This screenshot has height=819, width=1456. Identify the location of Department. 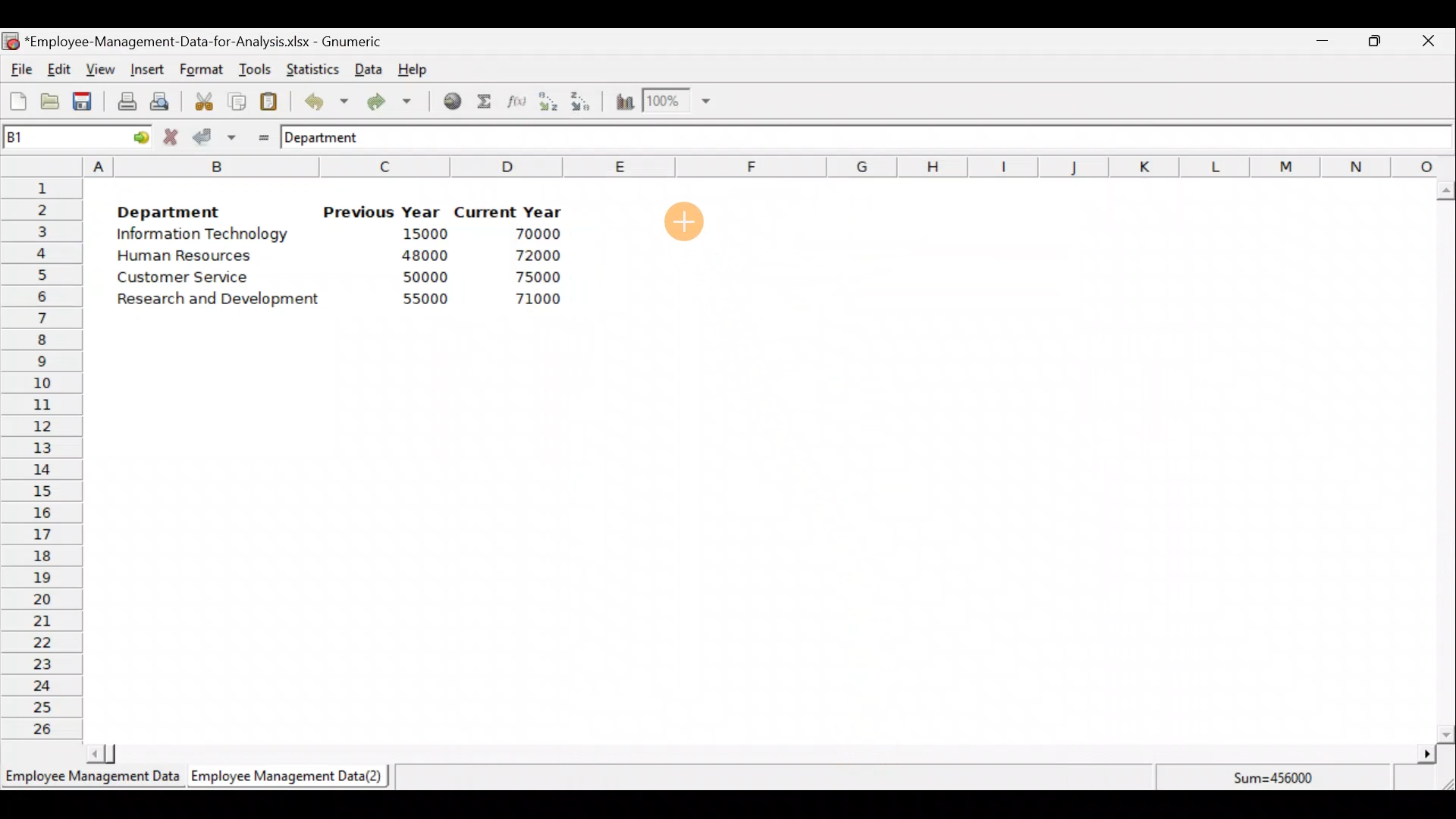
(168, 208).